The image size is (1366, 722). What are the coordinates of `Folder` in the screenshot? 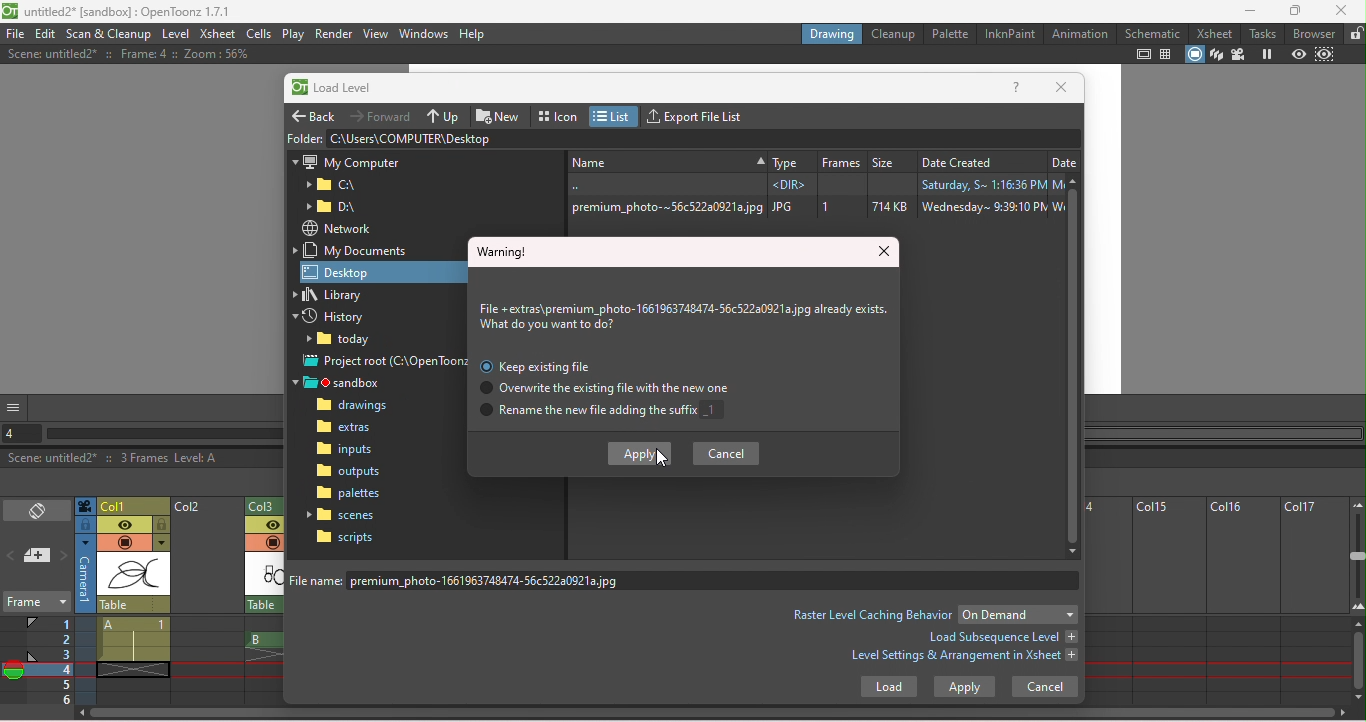 It's located at (332, 185).